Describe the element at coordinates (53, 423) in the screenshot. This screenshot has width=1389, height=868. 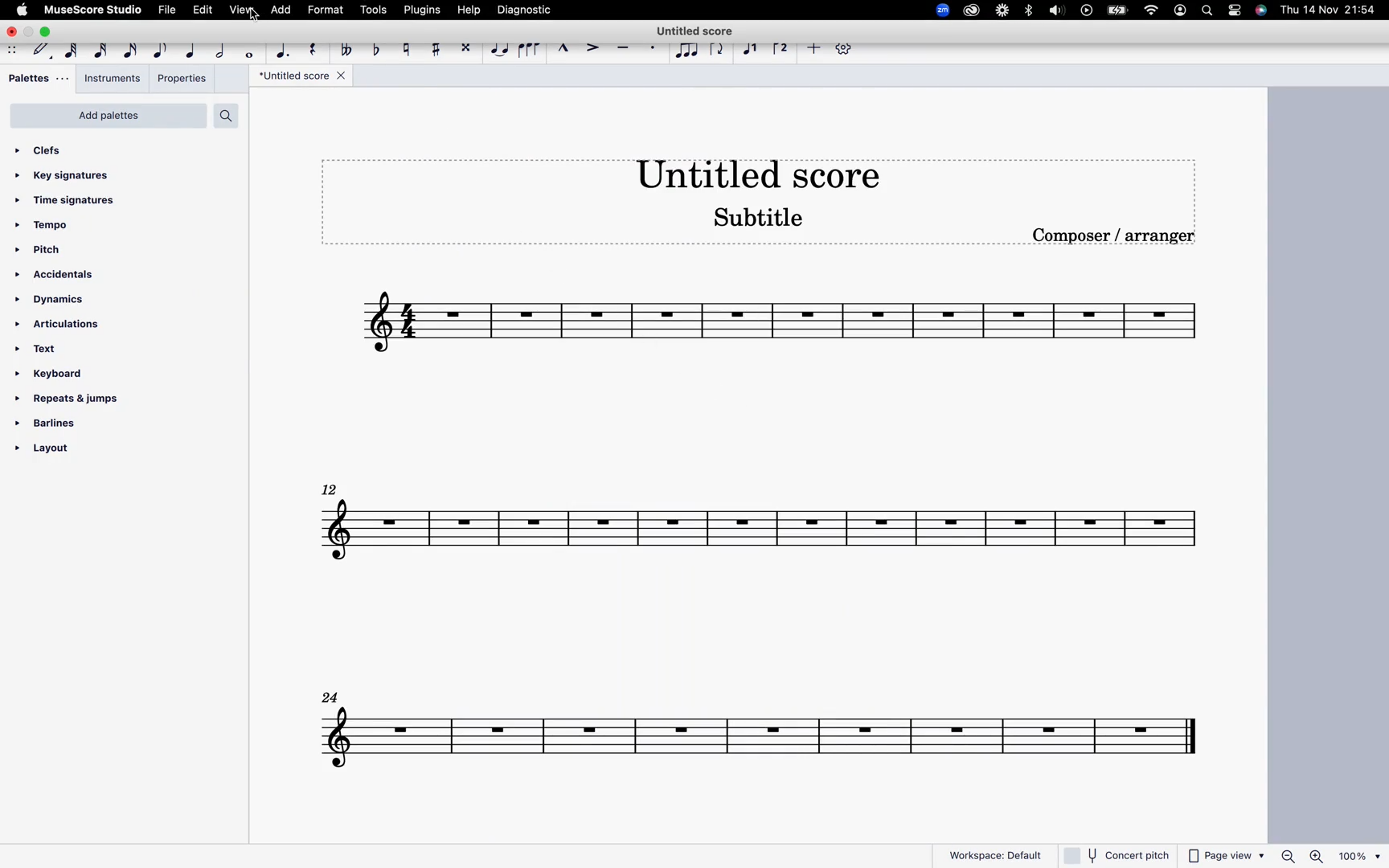
I see `barlines` at that location.